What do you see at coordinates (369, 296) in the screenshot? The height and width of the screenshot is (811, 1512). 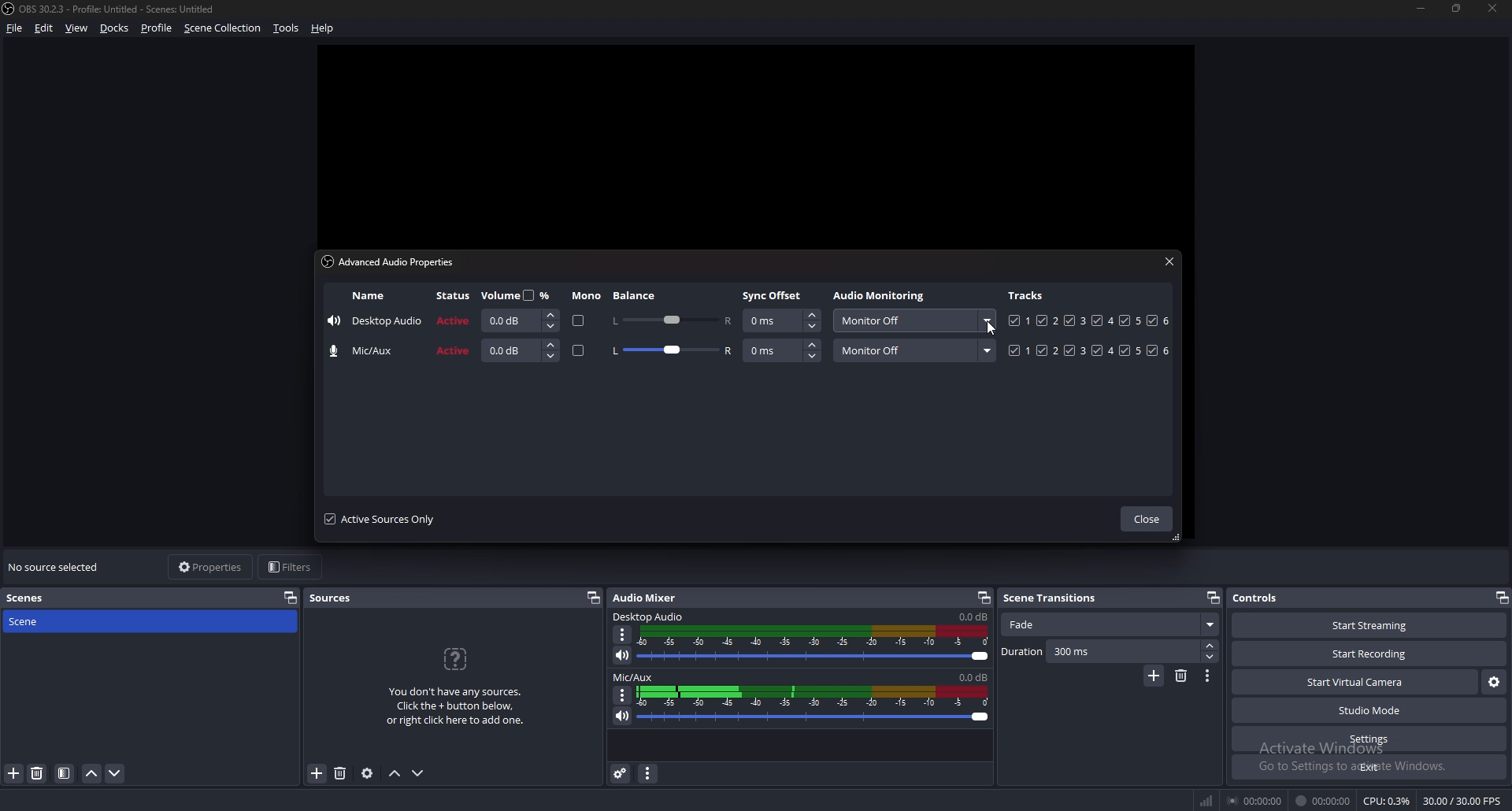 I see `name` at bounding box center [369, 296].